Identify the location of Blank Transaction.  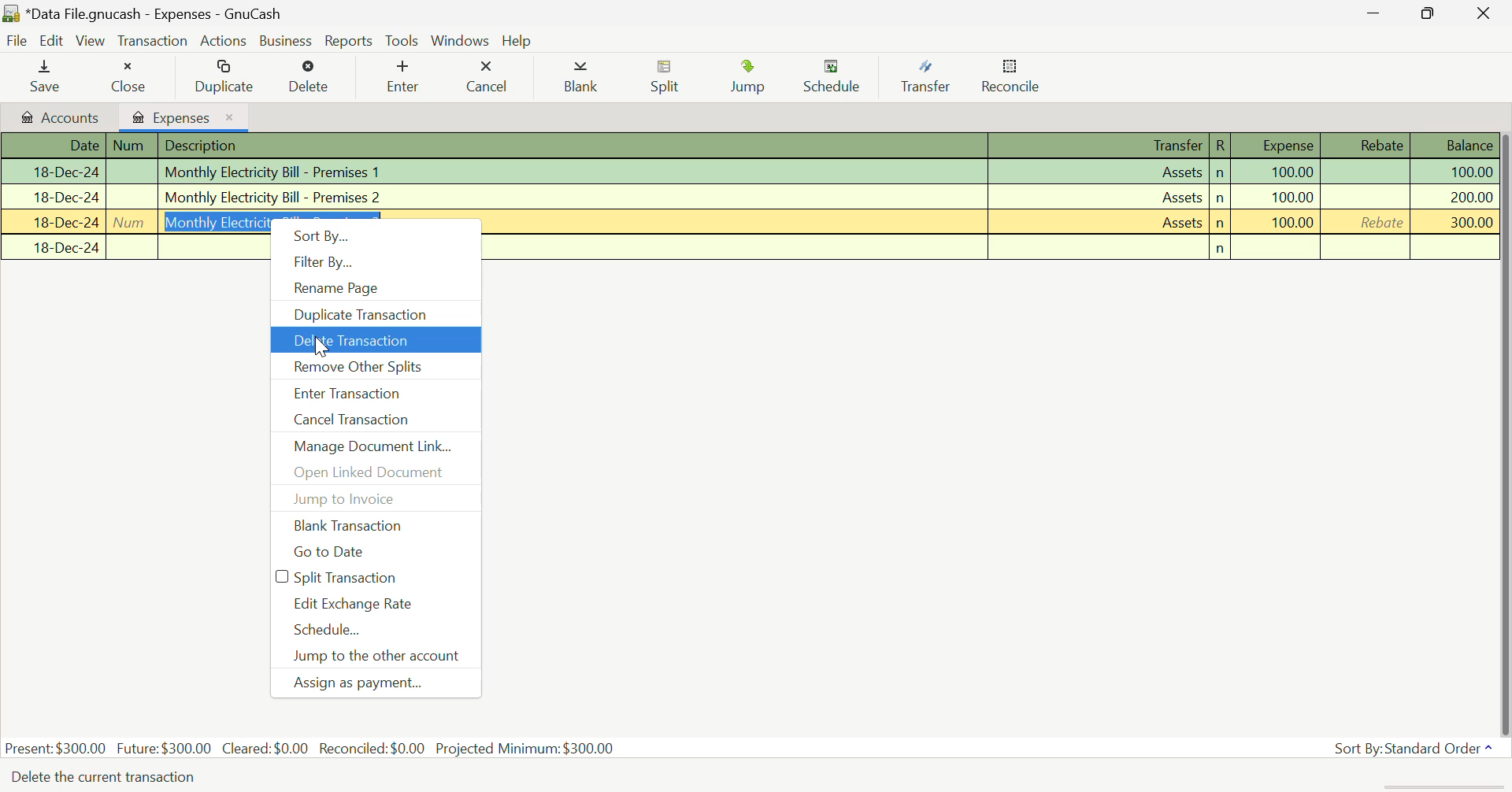
(377, 527).